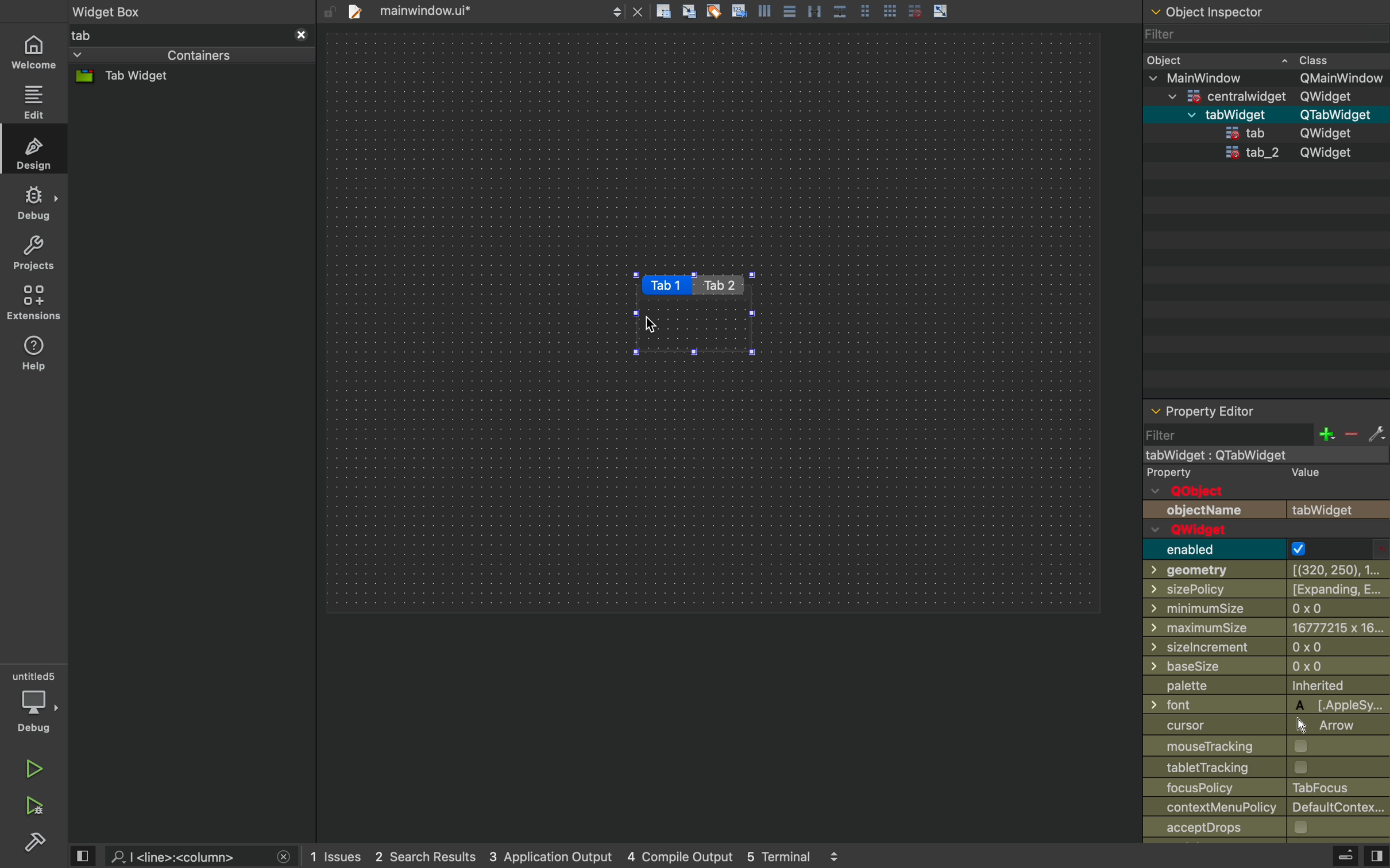  What do you see at coordinates (33, 150) in the screenshot?
I see `design` at bounding box center [33, 150].